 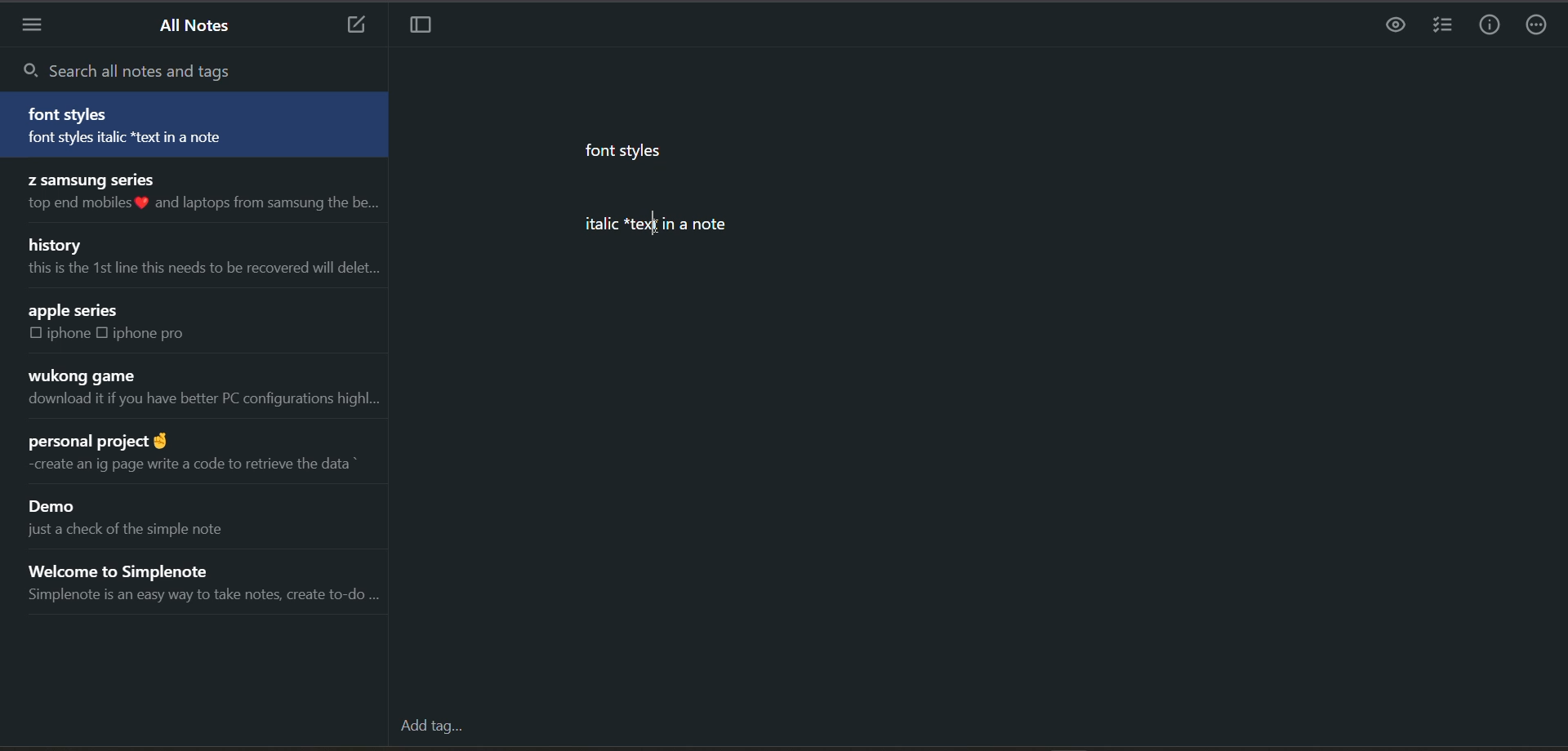 What do you see at coordinates (199, 389) in the screenshot?
I see `note title and preview` at bounding box center [199, 389].